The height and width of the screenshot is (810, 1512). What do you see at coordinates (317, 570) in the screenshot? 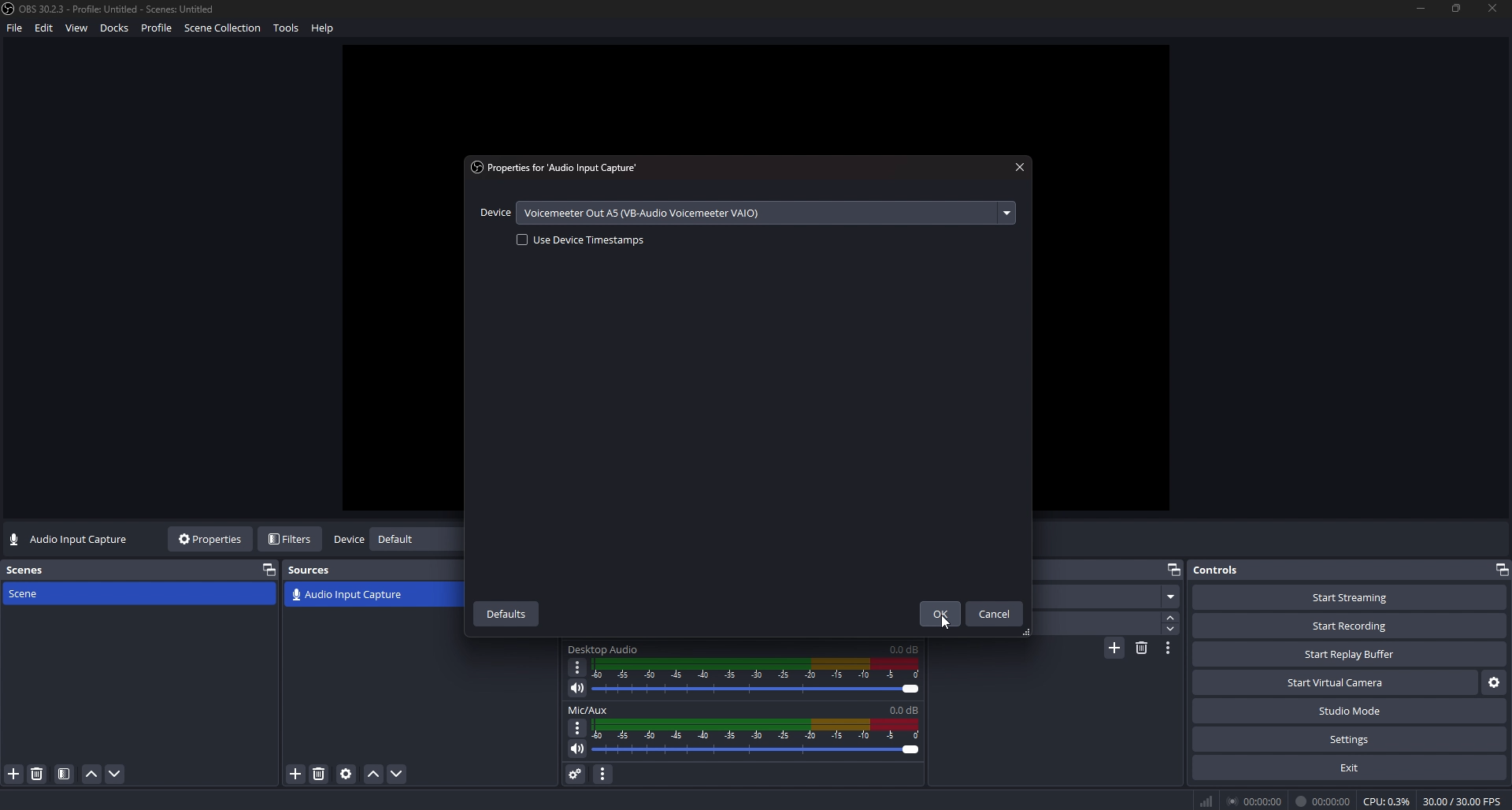
I see `sources` at bounding box center [317, 570].